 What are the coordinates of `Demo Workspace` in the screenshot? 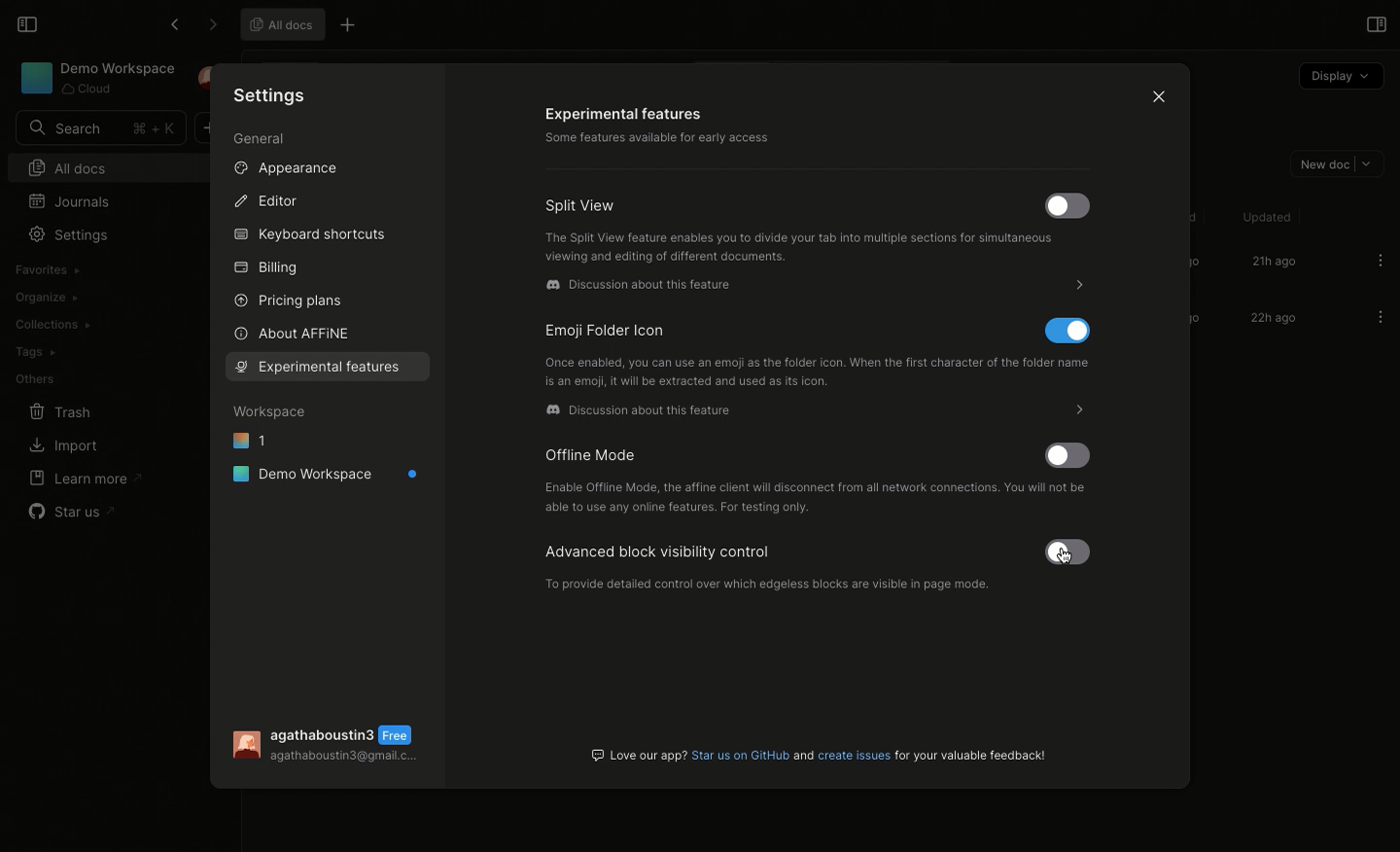 It's located at (98, 78).